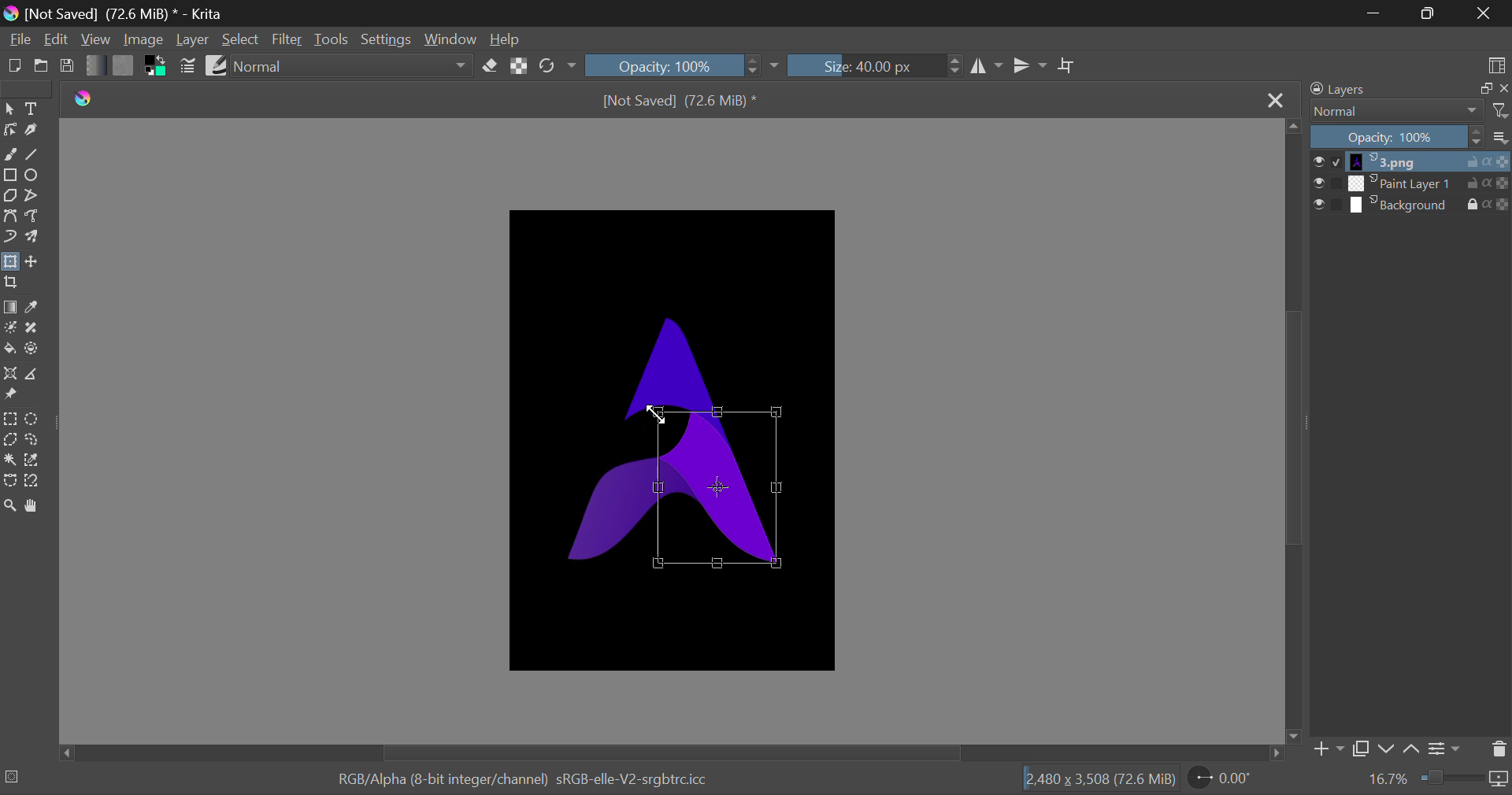  I want to click on Assistant Tool, so click(9, 374).